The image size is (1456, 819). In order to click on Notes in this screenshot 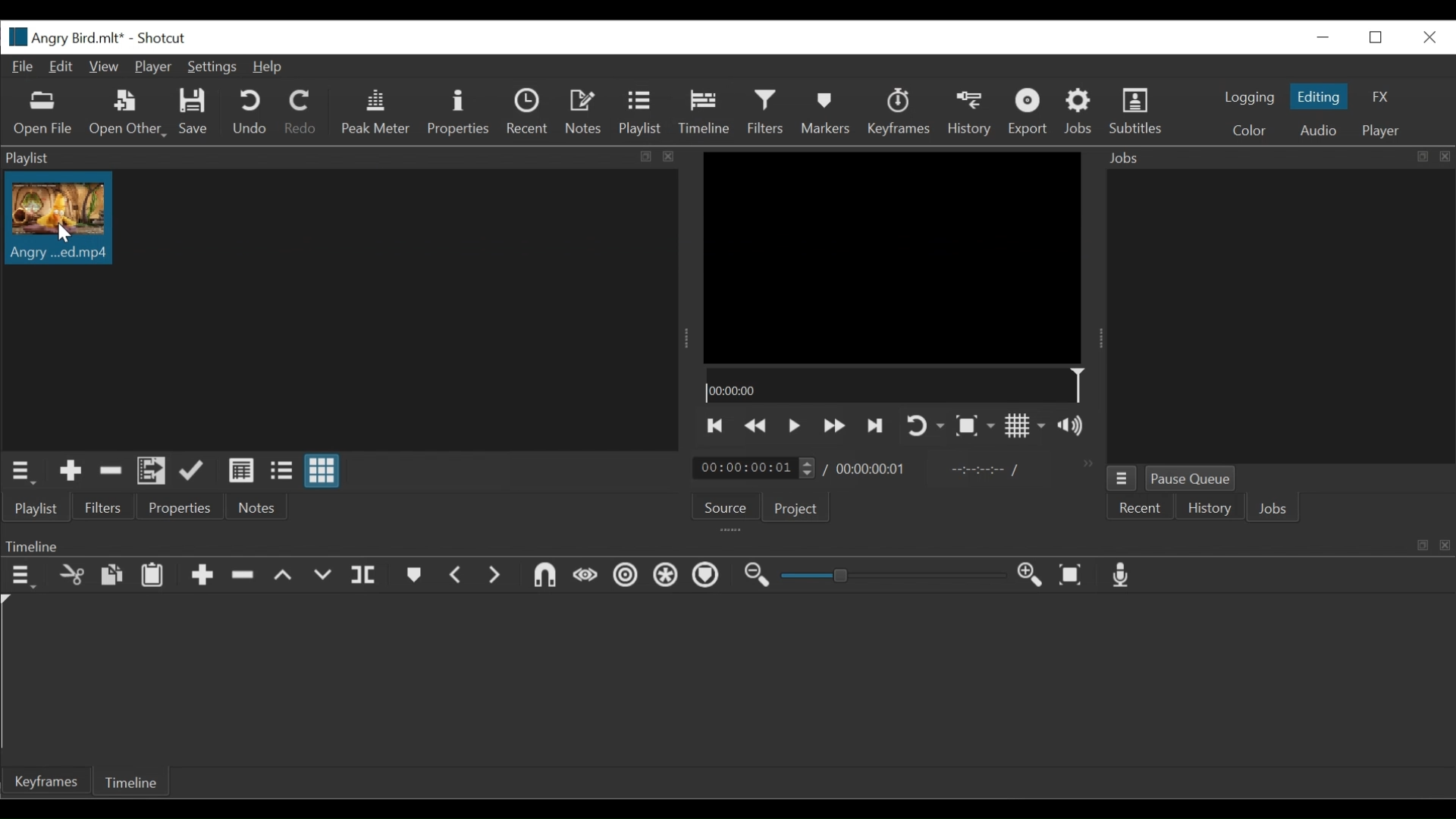, I will do `click(260, 507)`.